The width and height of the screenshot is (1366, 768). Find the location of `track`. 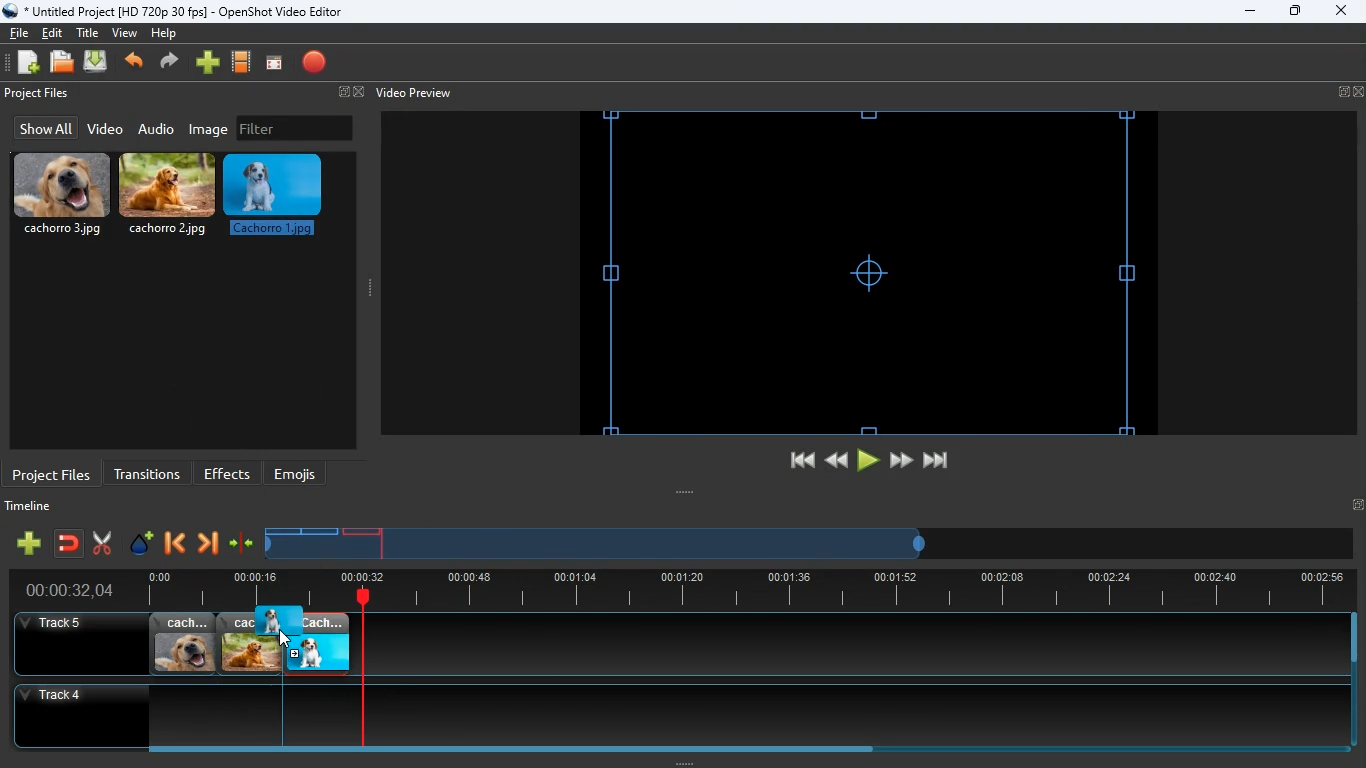

track is located at coordinates (824, 644).